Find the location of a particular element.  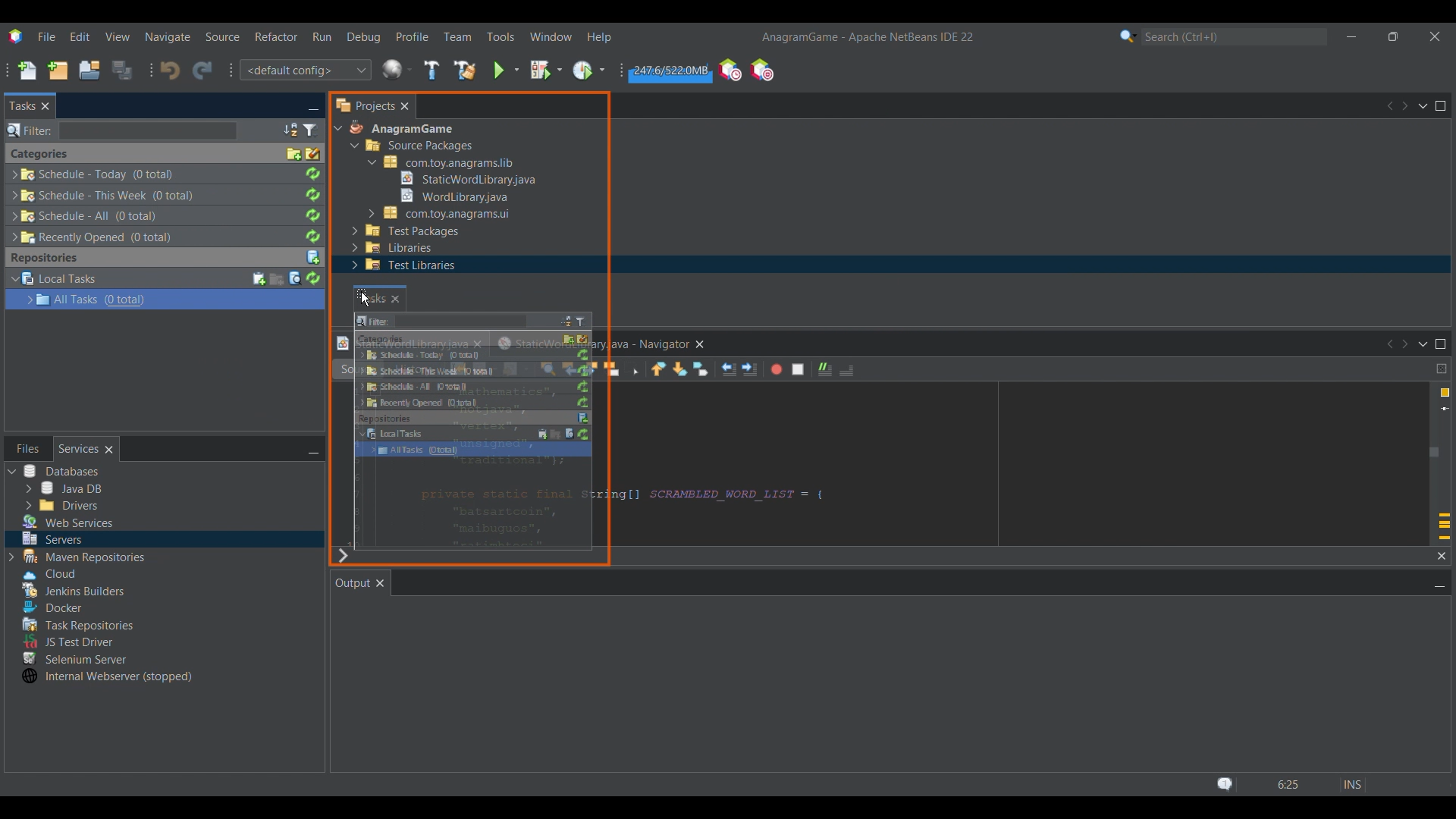

Software name and version is located at coordinates (867, 38).